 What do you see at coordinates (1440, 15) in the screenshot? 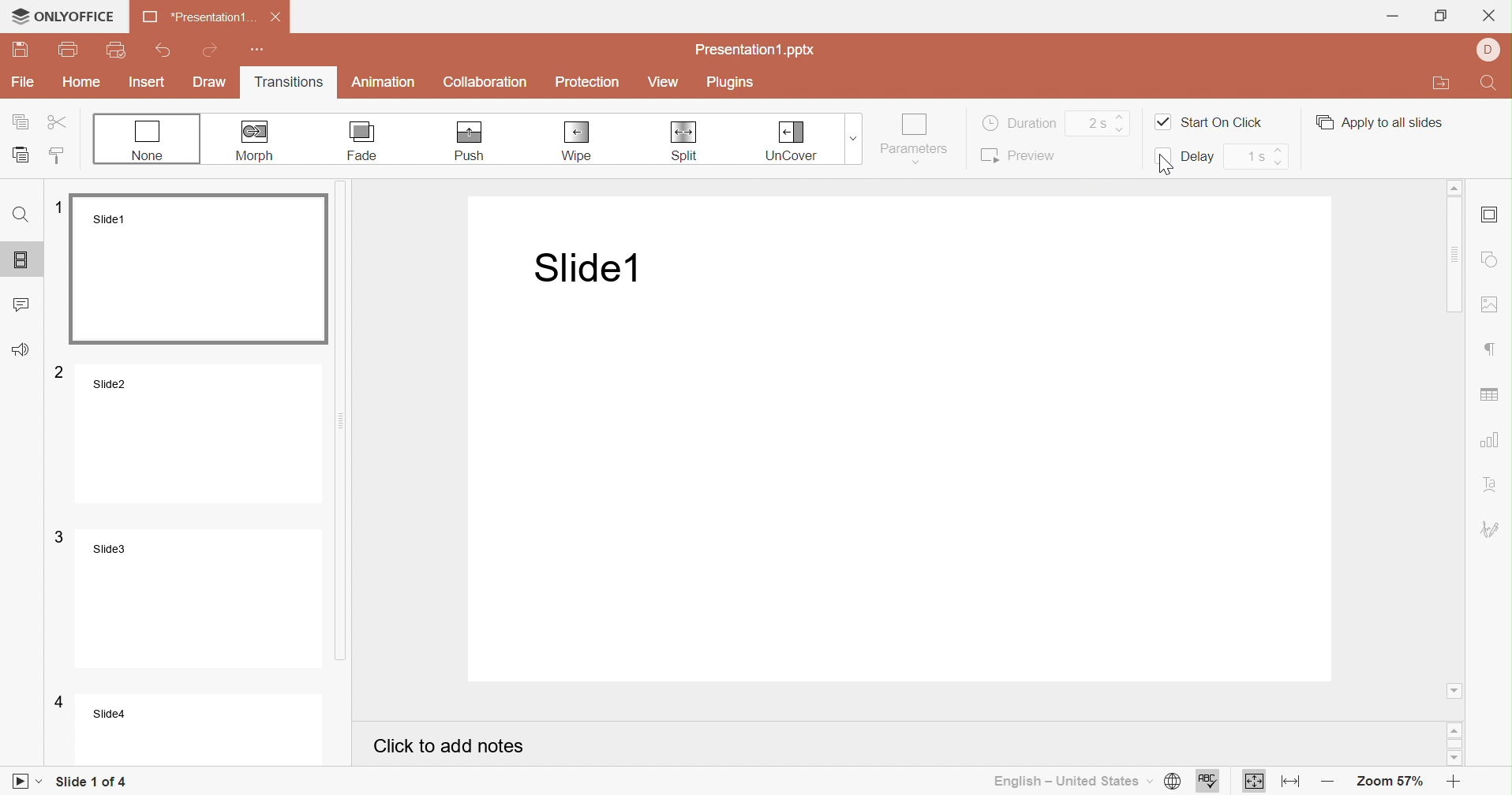
I see `Restore down` at bounding box center [1440, 15].